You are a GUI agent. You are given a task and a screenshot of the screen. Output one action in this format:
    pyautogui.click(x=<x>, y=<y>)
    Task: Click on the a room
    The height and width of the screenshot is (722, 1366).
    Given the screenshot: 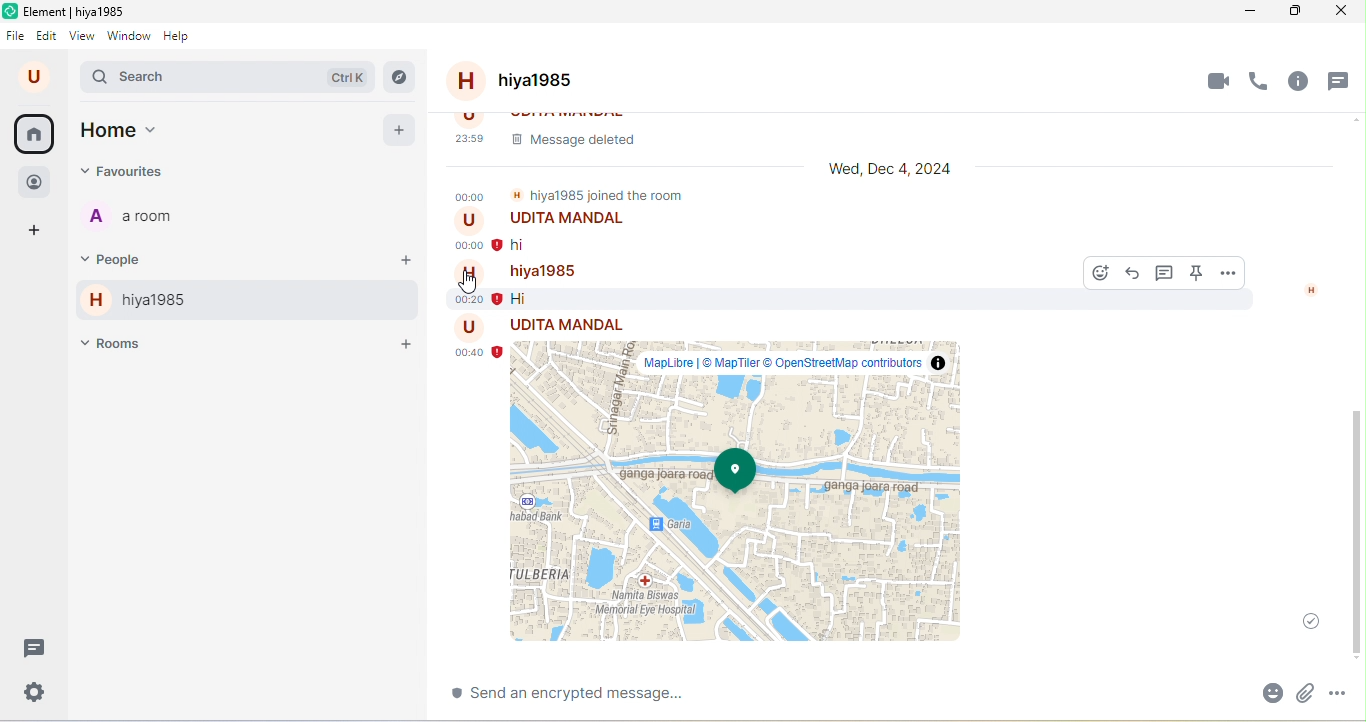 What is the action you would take?
    pyautogui.click(x=141, y=218)
    